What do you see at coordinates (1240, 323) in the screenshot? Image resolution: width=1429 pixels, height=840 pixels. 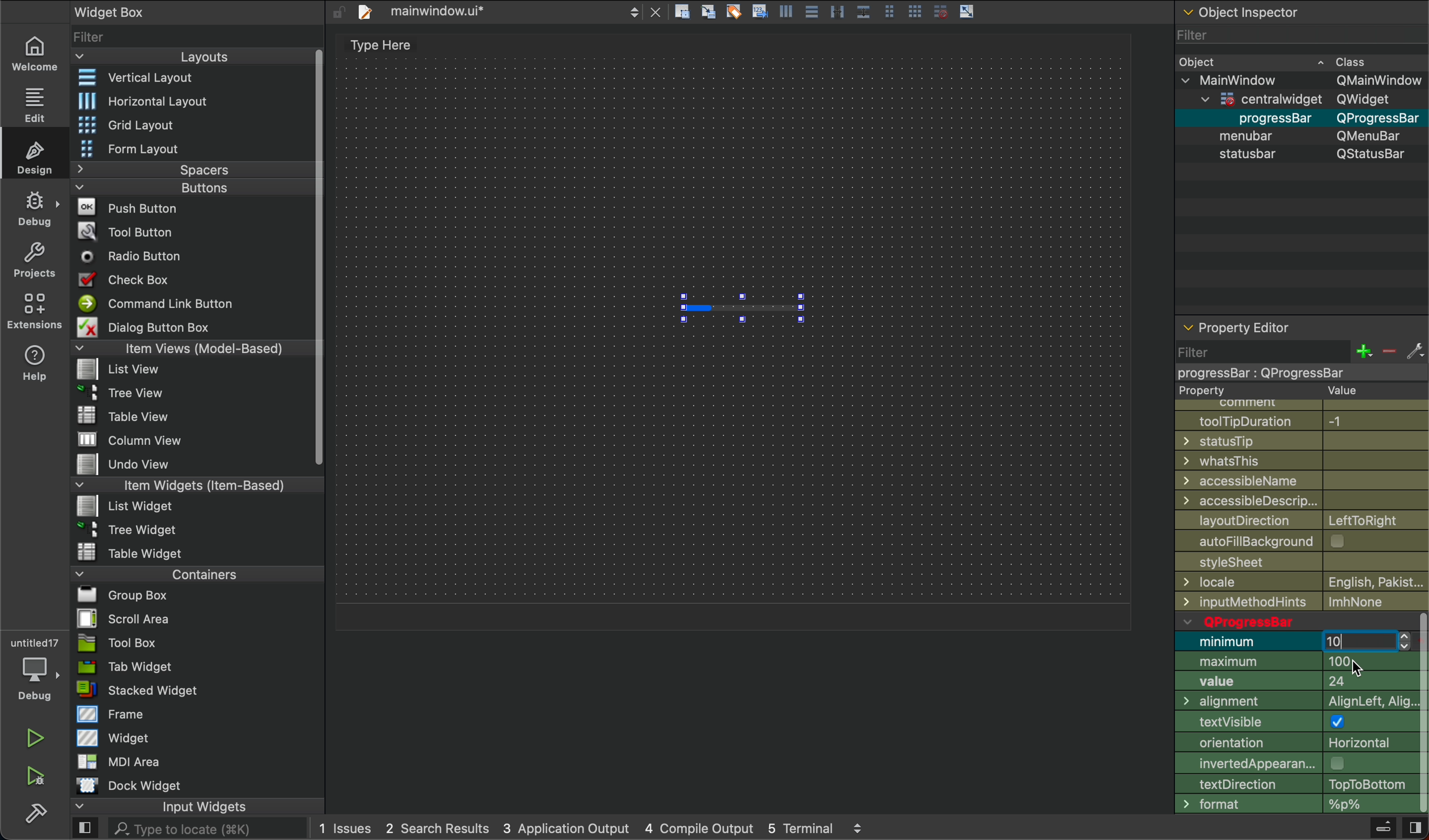 I see `property editor` at bounding box center [1240, 323].